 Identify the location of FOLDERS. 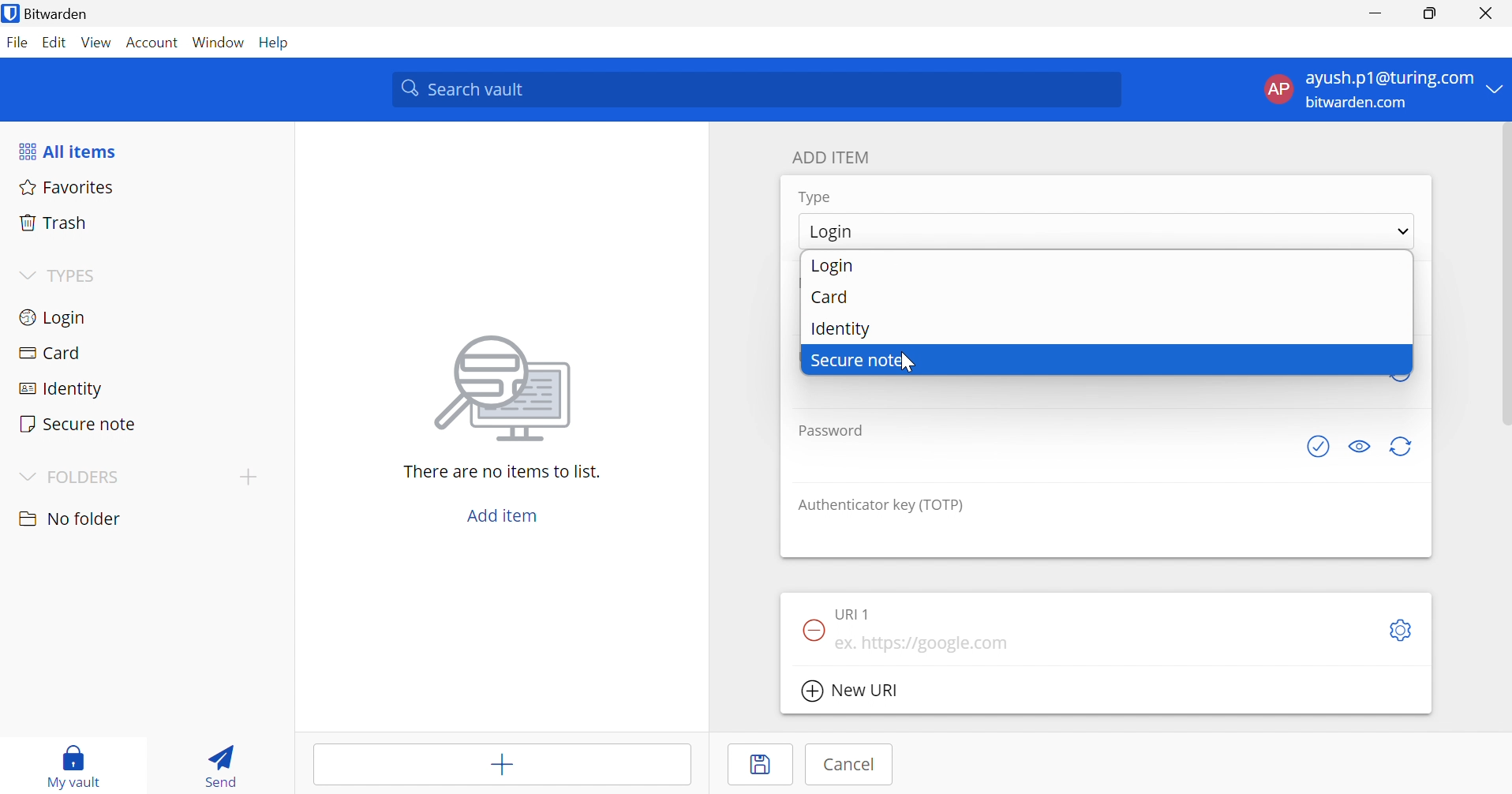
(89, 477).